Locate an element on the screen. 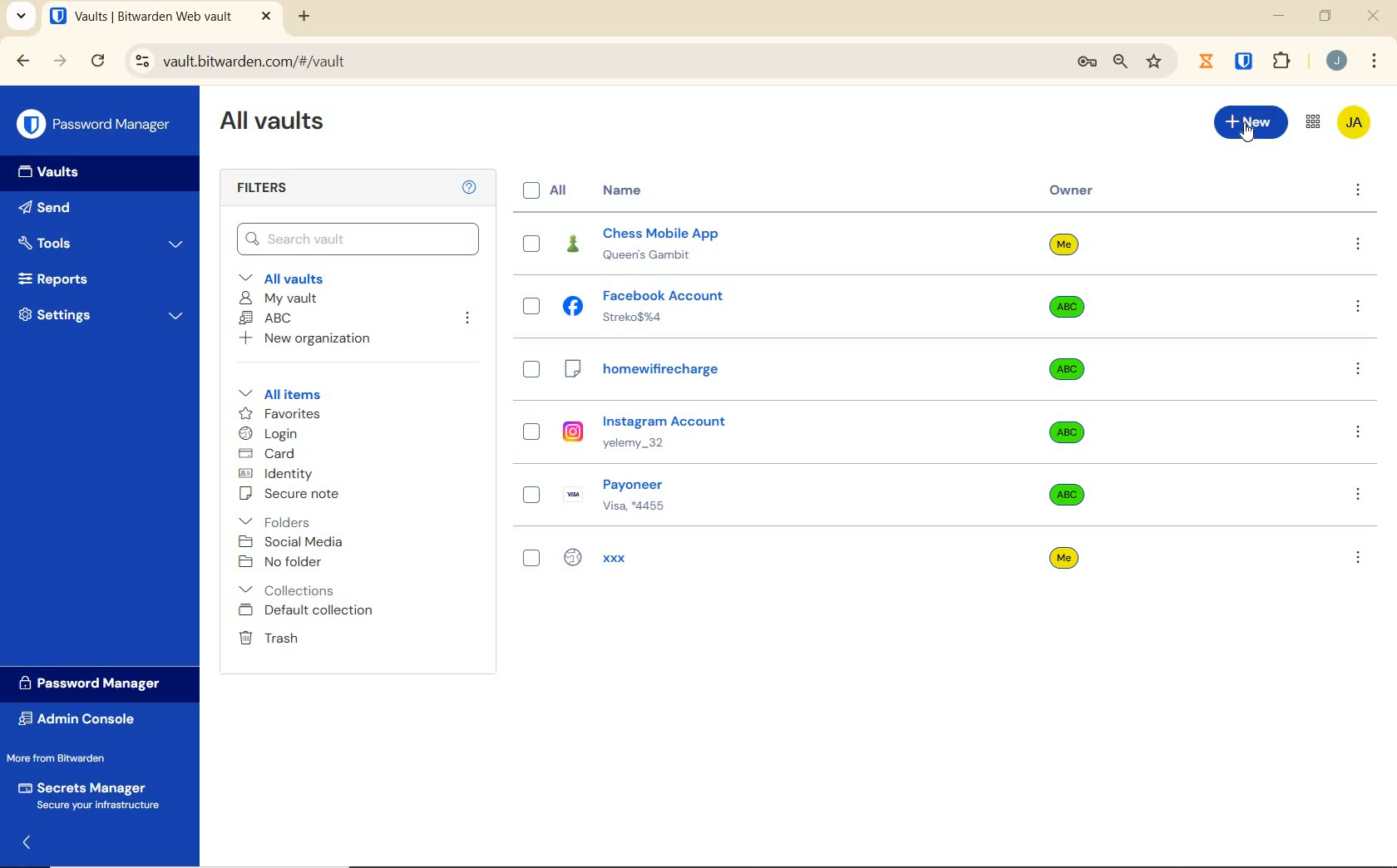 Image resolution: width=1397 pixels, height=868 pixels. more options is located at coordinates (1360, 245).